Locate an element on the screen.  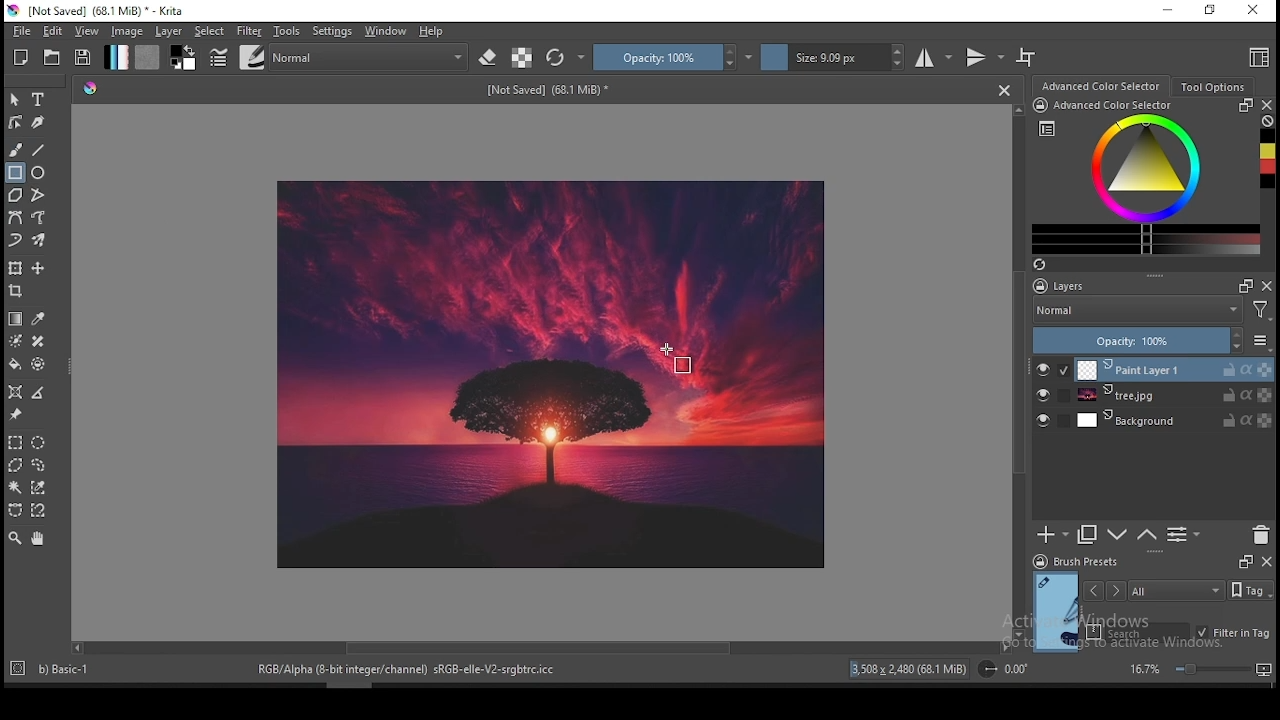
open is located at coordinates (54, 57).